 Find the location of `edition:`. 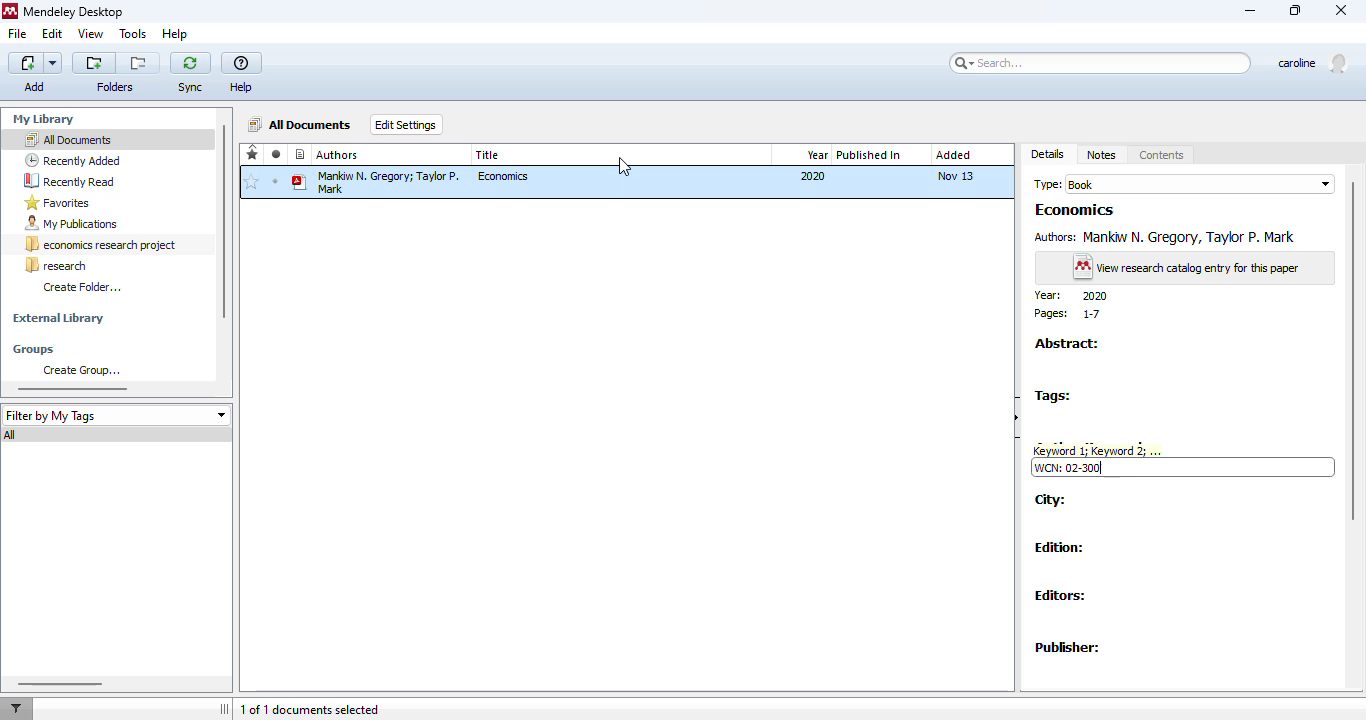

edition: is located at coordinates (1060, 547).